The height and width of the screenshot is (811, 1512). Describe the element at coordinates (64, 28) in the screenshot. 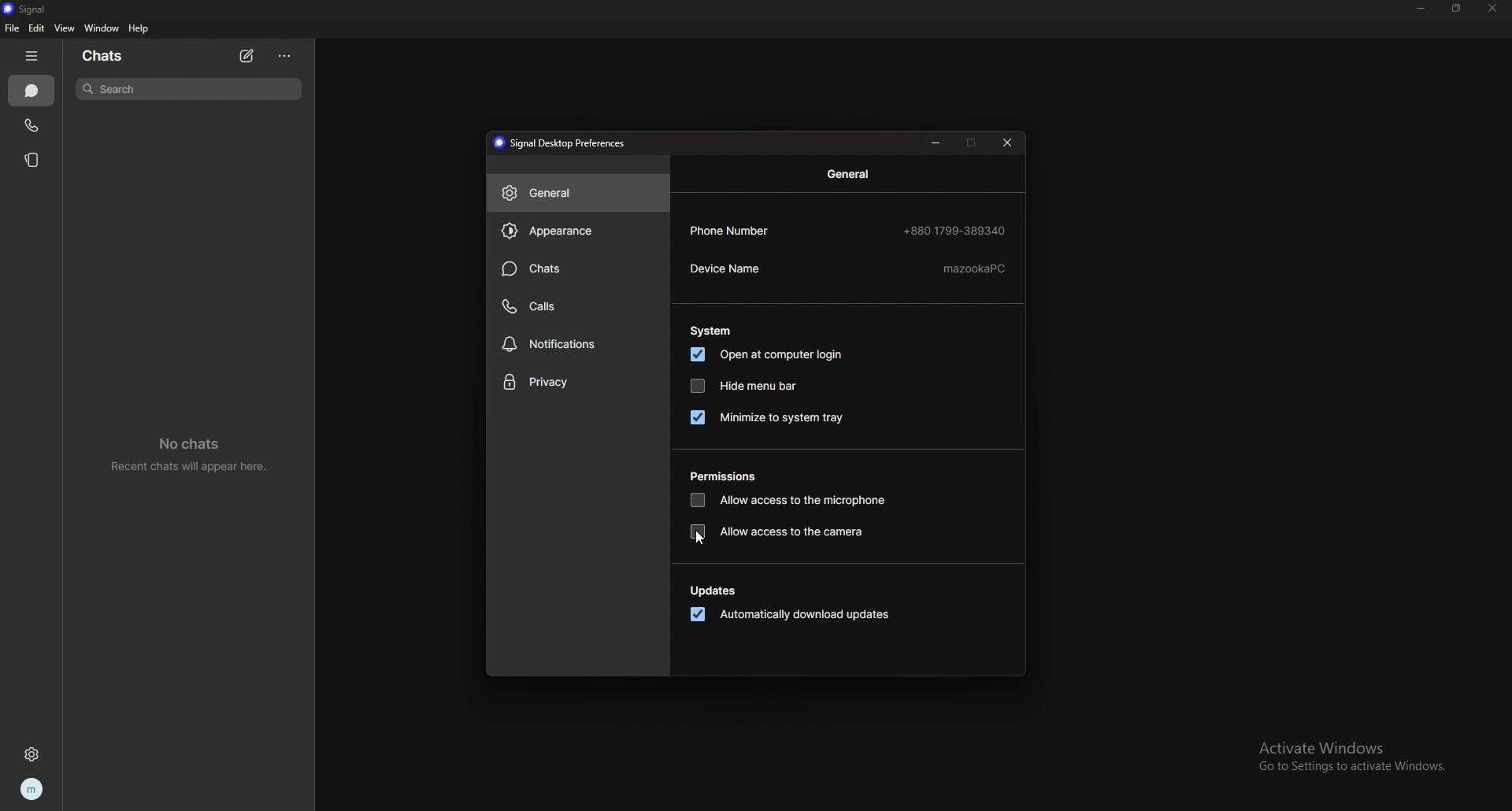

I see `view` at that location.